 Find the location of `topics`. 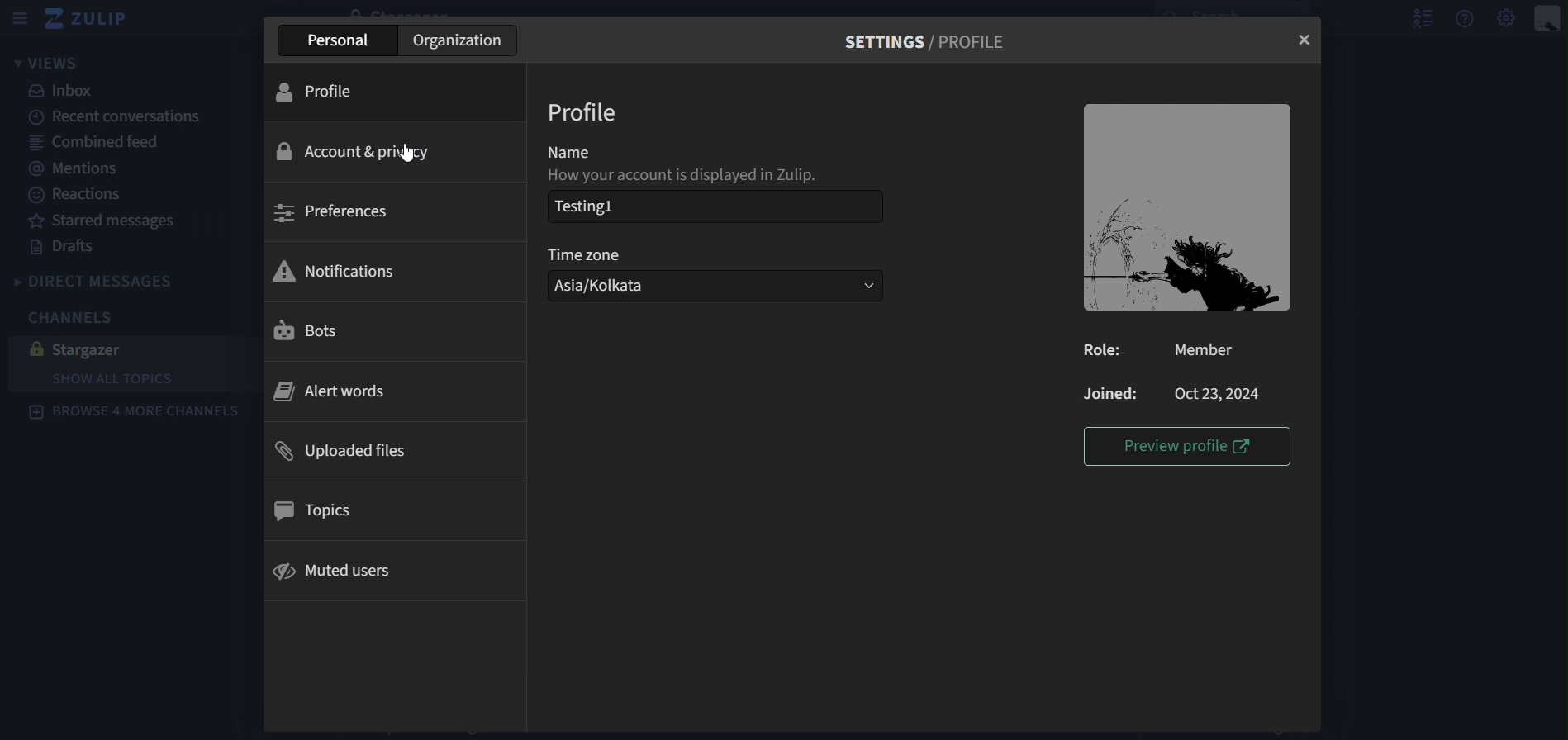

topics is located at coordinates (325, 512).